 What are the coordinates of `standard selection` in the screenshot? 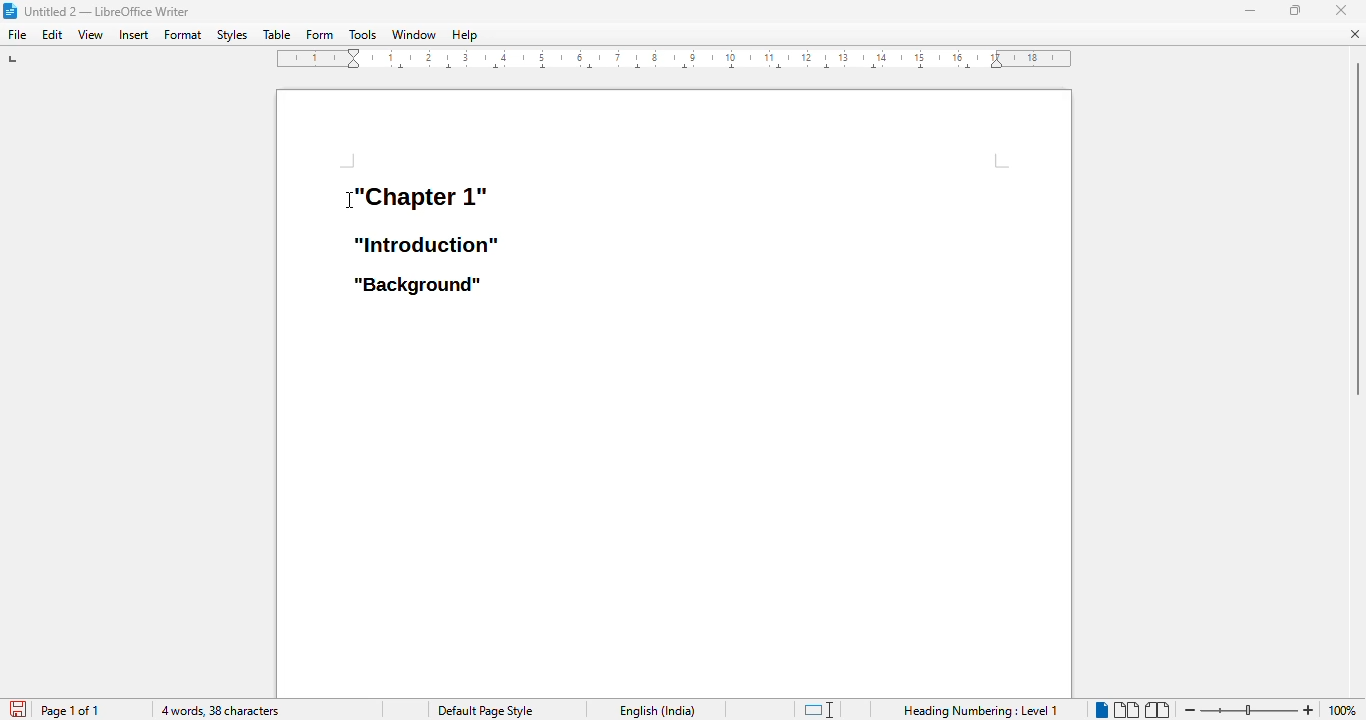 It's located at (819, 709).